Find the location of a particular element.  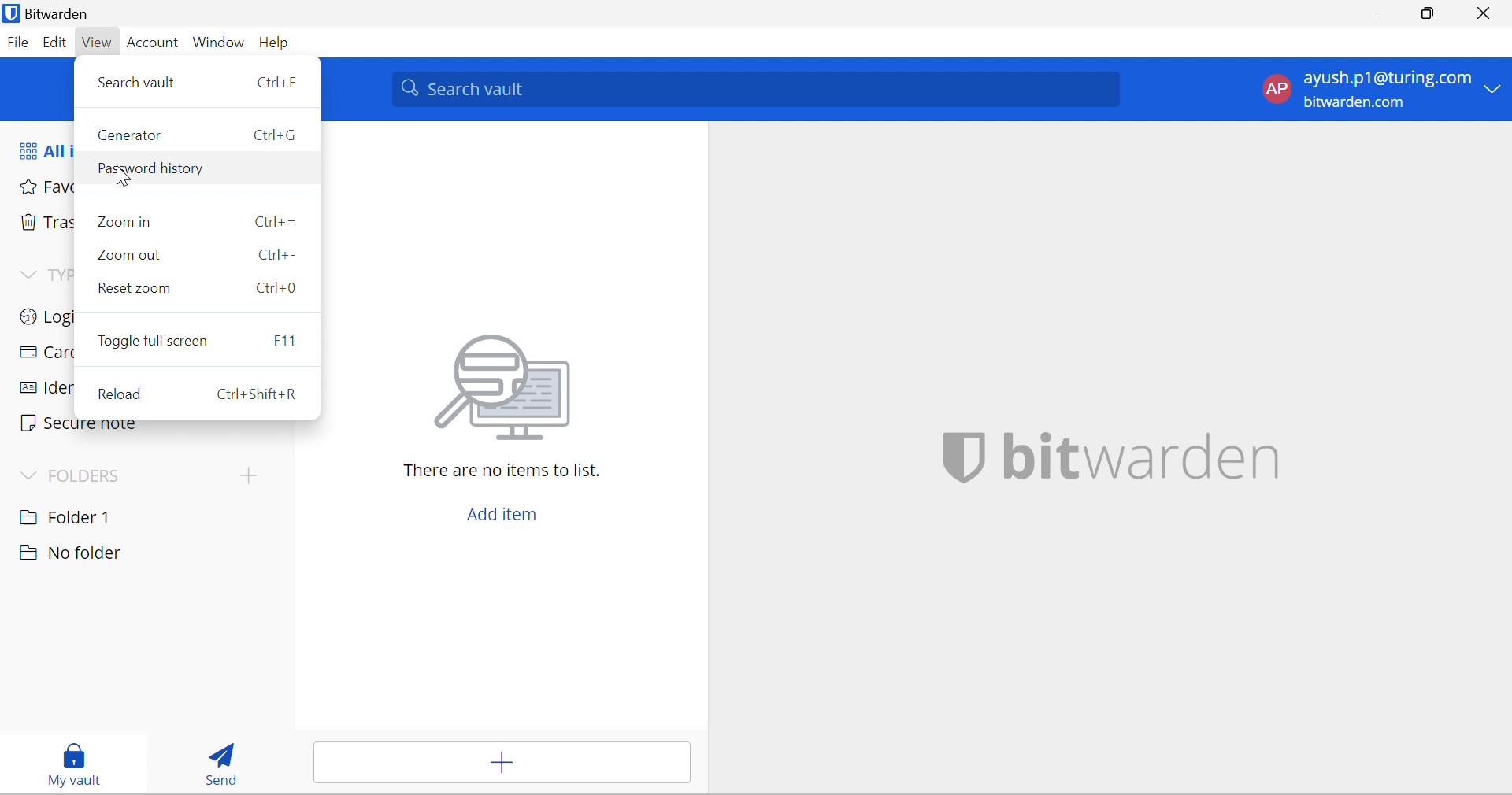

My vault is located at coordinates (69, 764).